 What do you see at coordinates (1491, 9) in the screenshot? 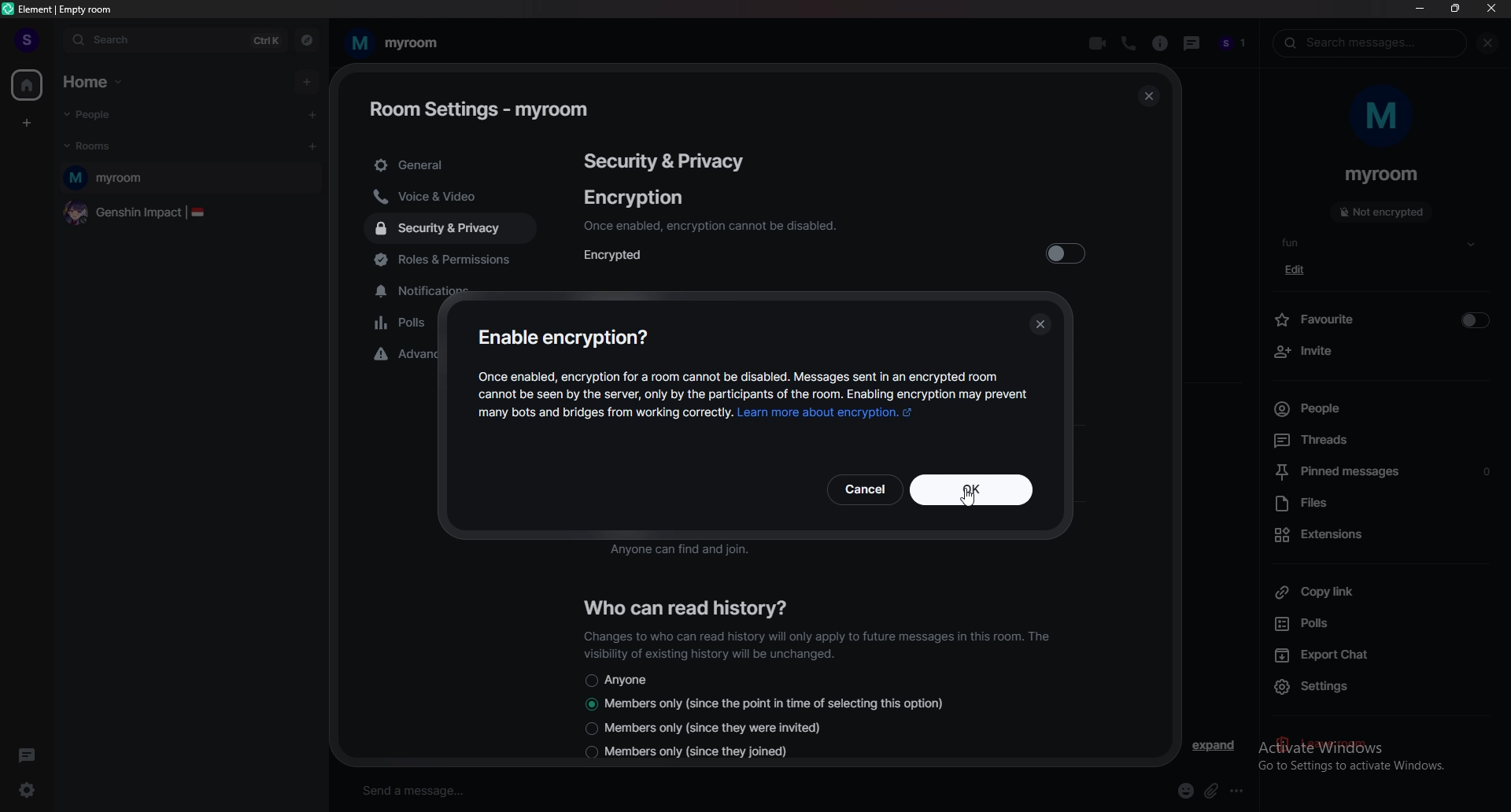
I see `close` at bounding box center [1491, 9].